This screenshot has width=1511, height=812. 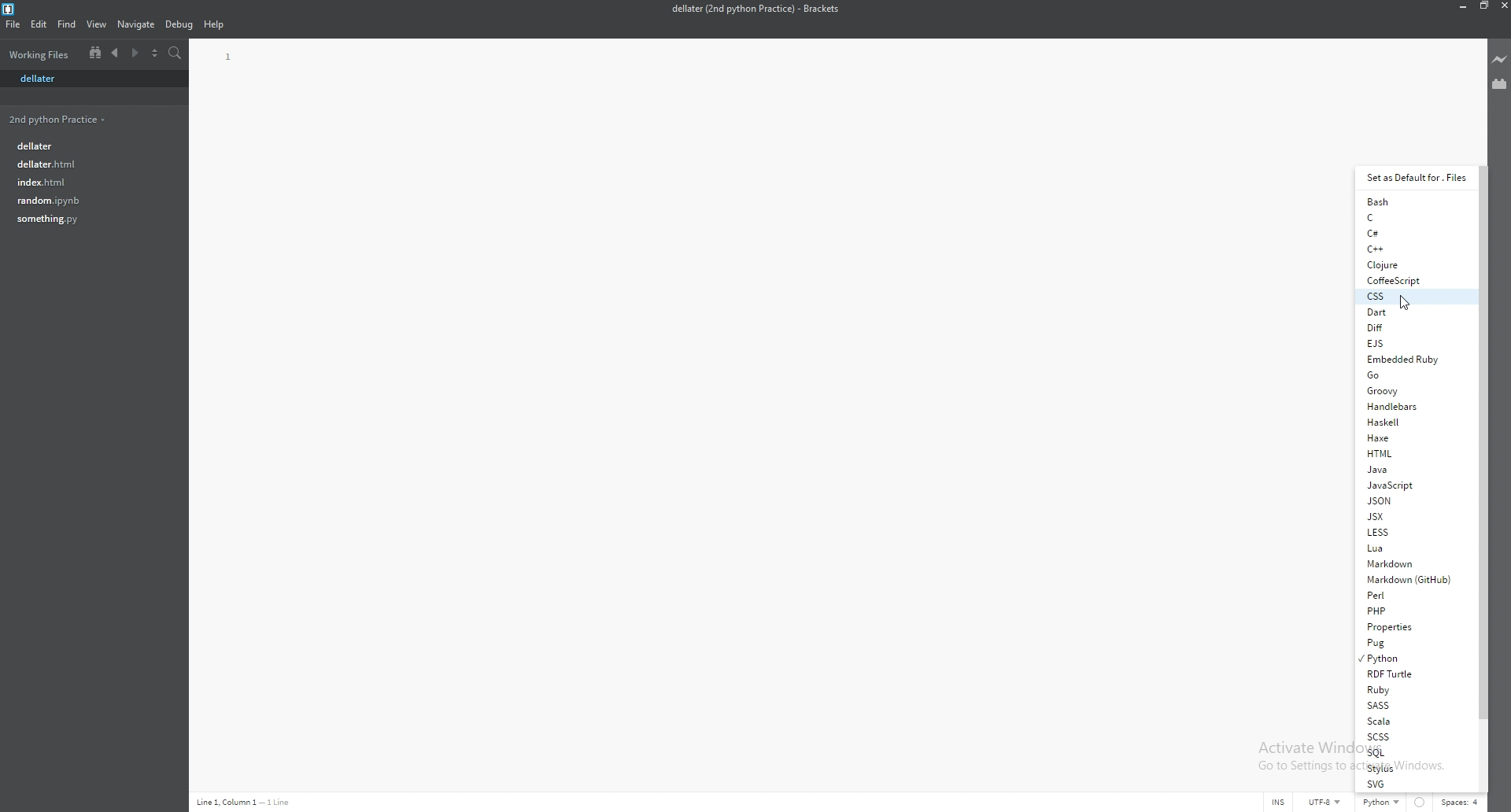 I want to click on file, so click(x=89, y=144).